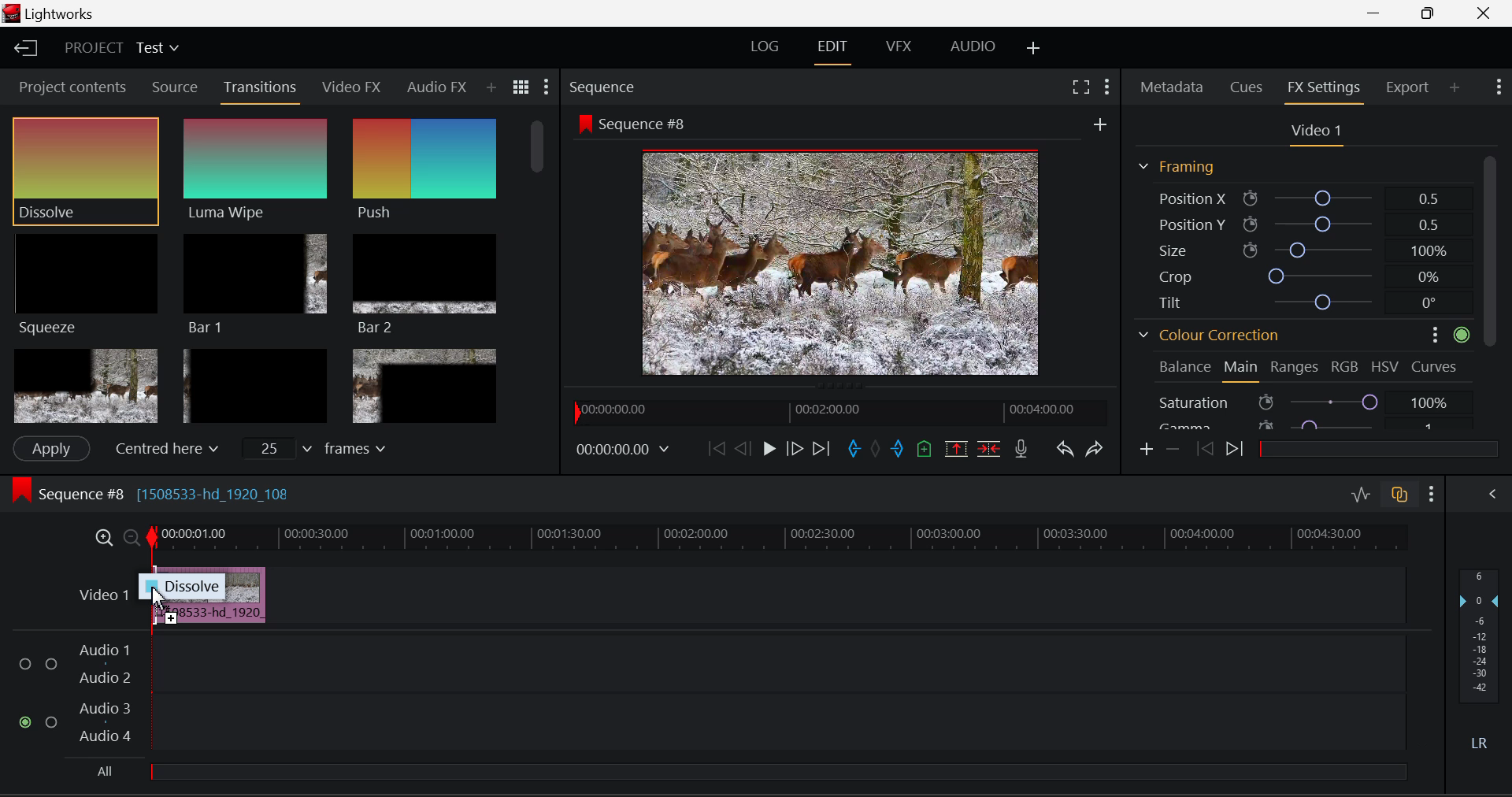 The width and height of the screenshot is (1512, 797). What do you see at coordinates (424, 170) in the screenshot?
I see `Push` at bounding box center [424, 170].